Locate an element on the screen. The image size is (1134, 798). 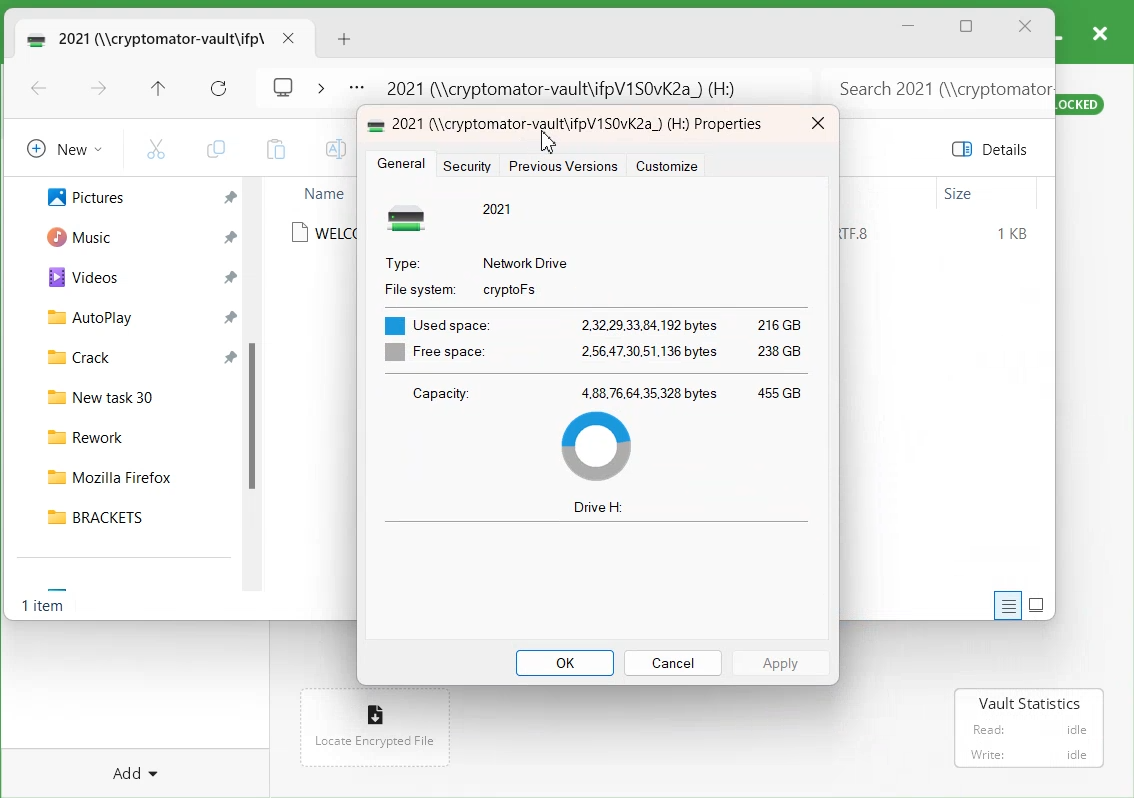
icon is located at coordinates (412, 217).